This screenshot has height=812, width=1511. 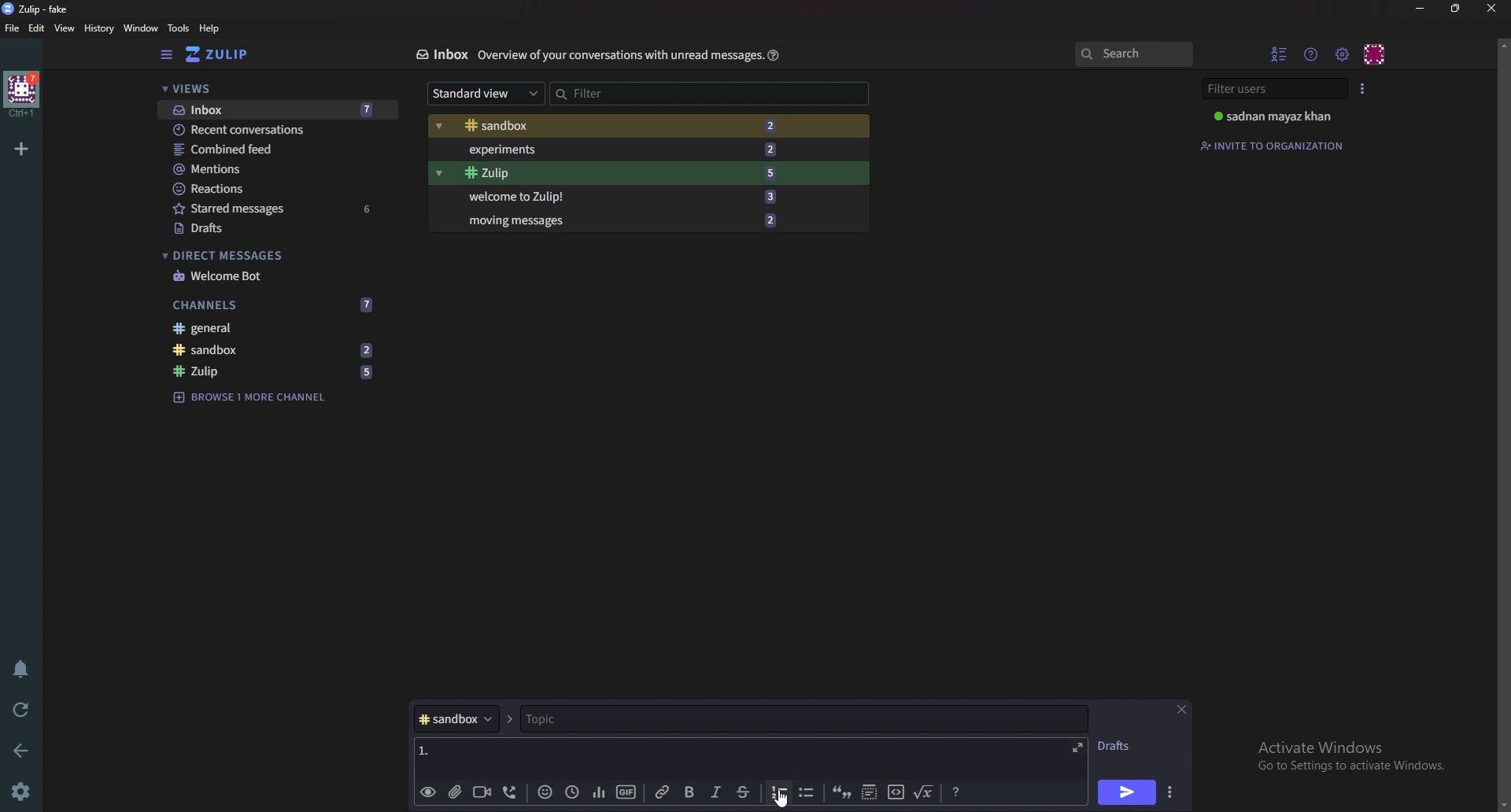 I want to click on Drafts, so click(x=1120, y=746).